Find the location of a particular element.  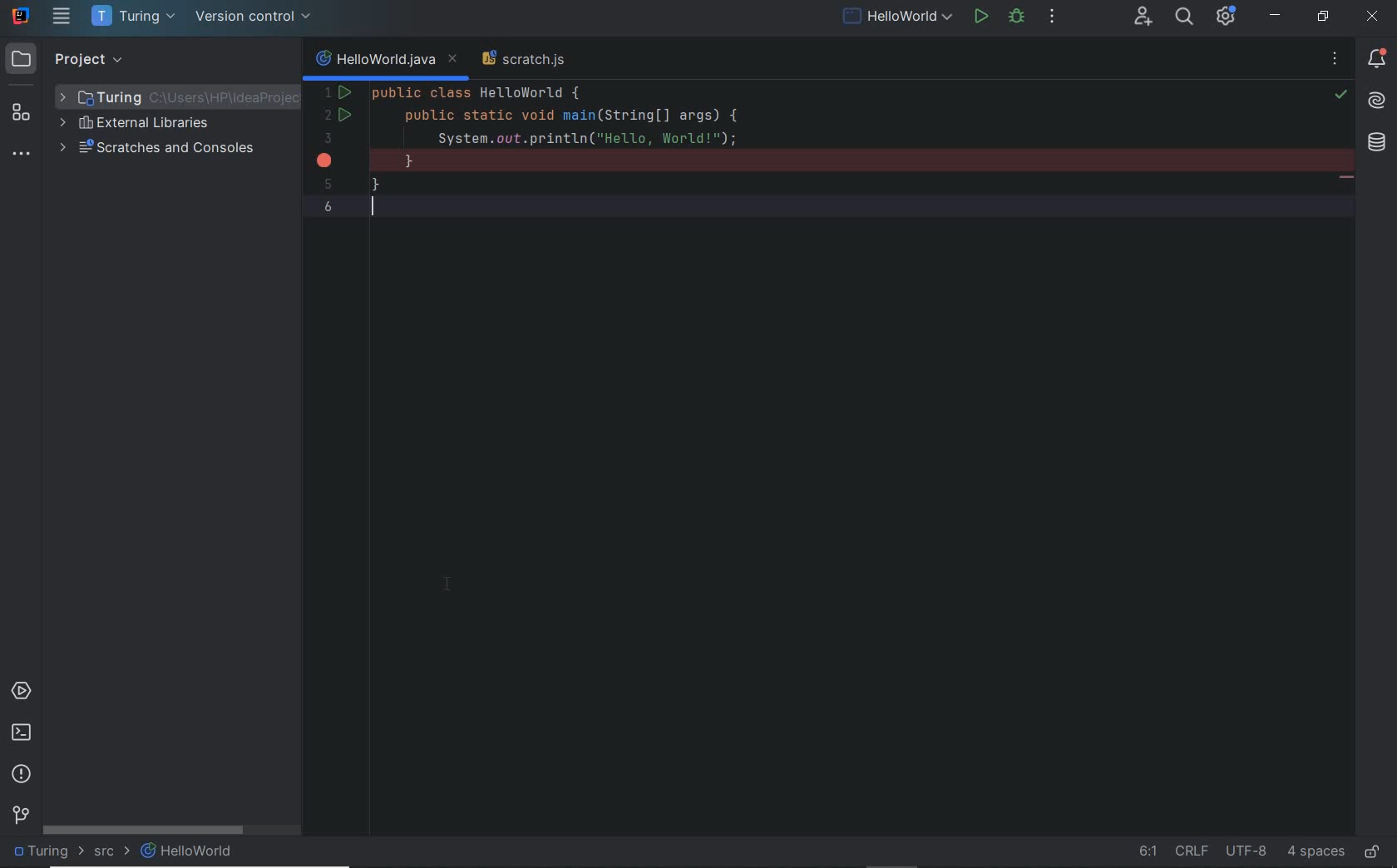

run is located at coordinates (983, 17).